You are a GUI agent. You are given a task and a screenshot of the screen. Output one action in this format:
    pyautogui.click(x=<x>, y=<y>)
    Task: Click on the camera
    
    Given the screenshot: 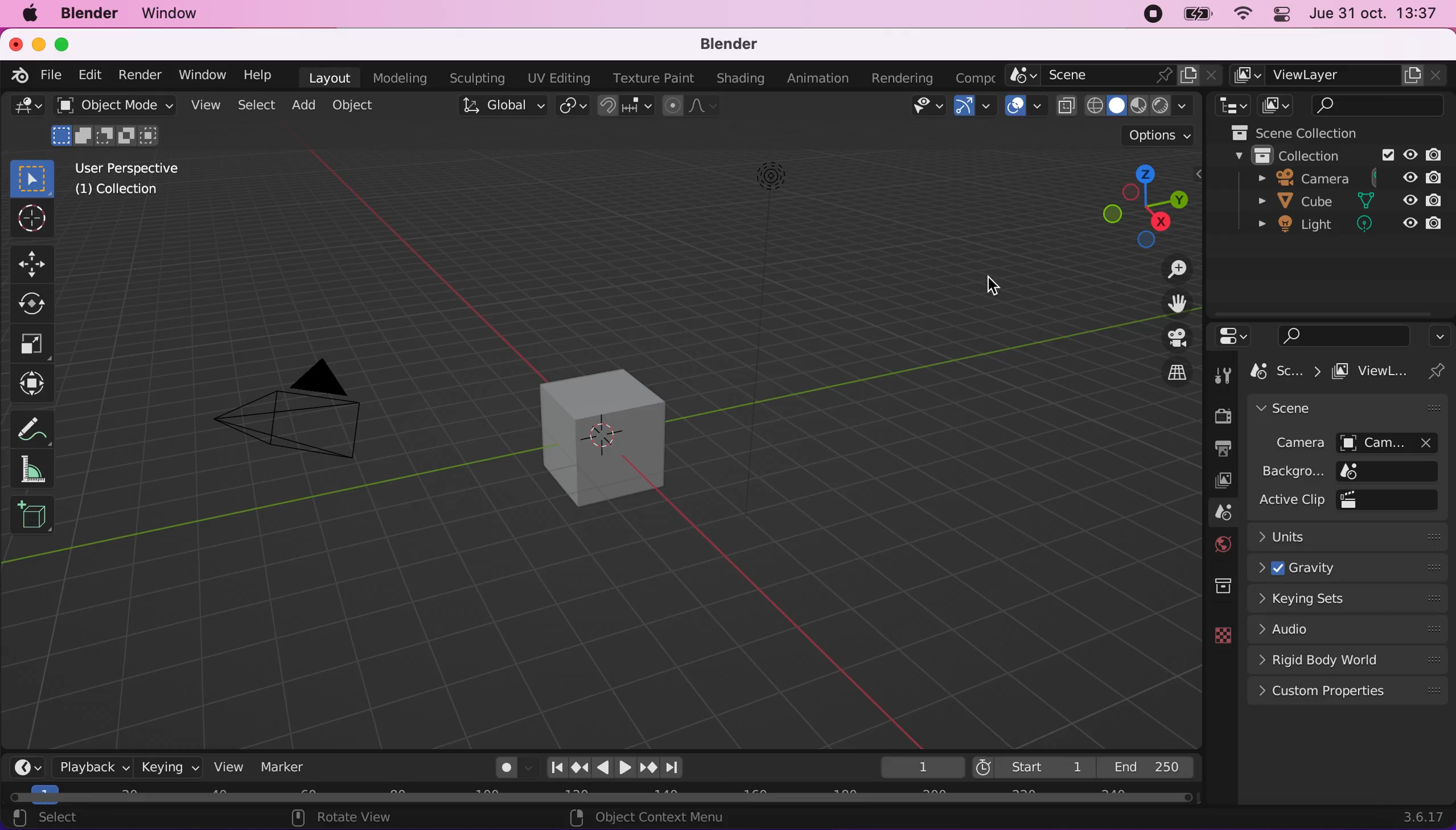 What is the action you would take?
    pyautogui.click(x=299, y=405)
    